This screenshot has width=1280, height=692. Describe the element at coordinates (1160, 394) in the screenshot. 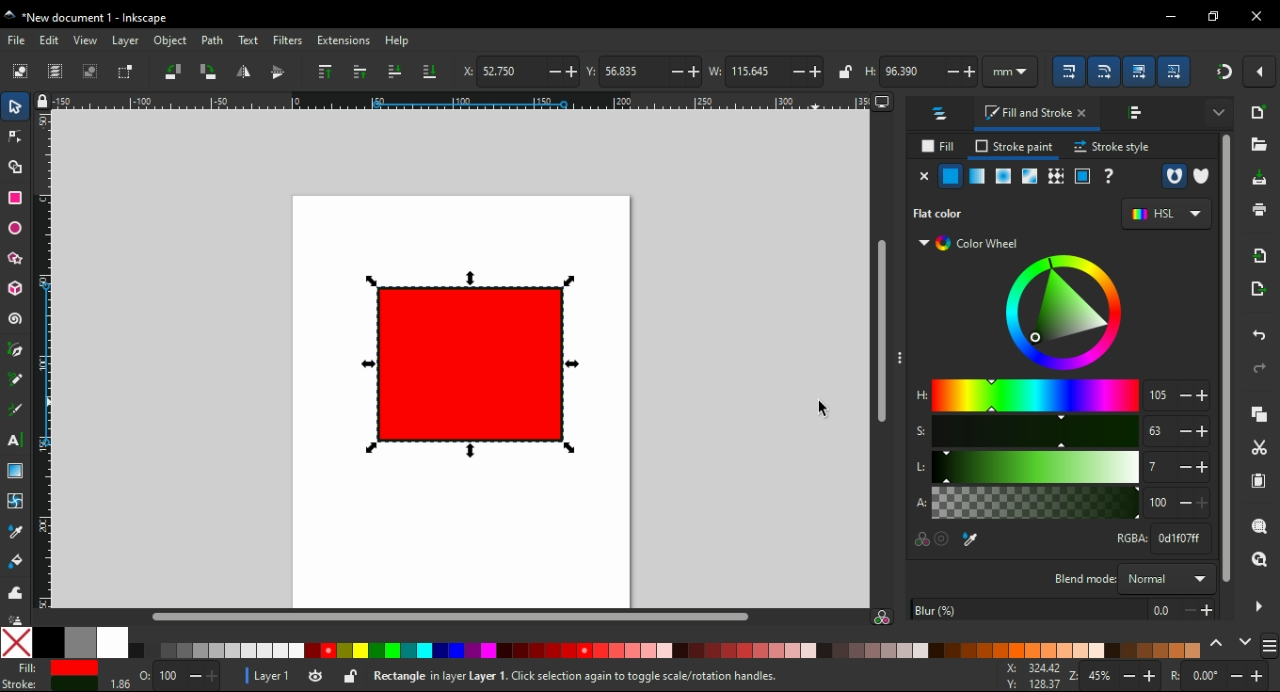

I see `106` at that location.